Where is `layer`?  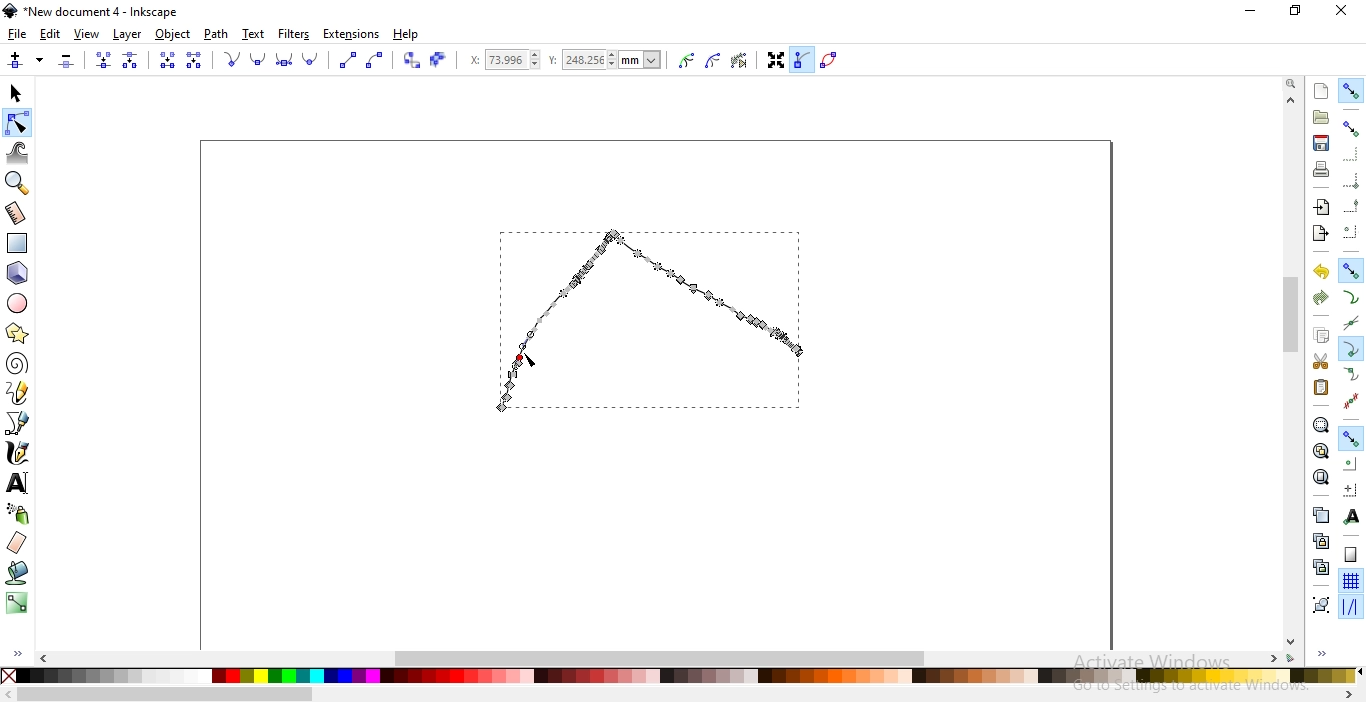 layer is located at coordinates (128, 35).